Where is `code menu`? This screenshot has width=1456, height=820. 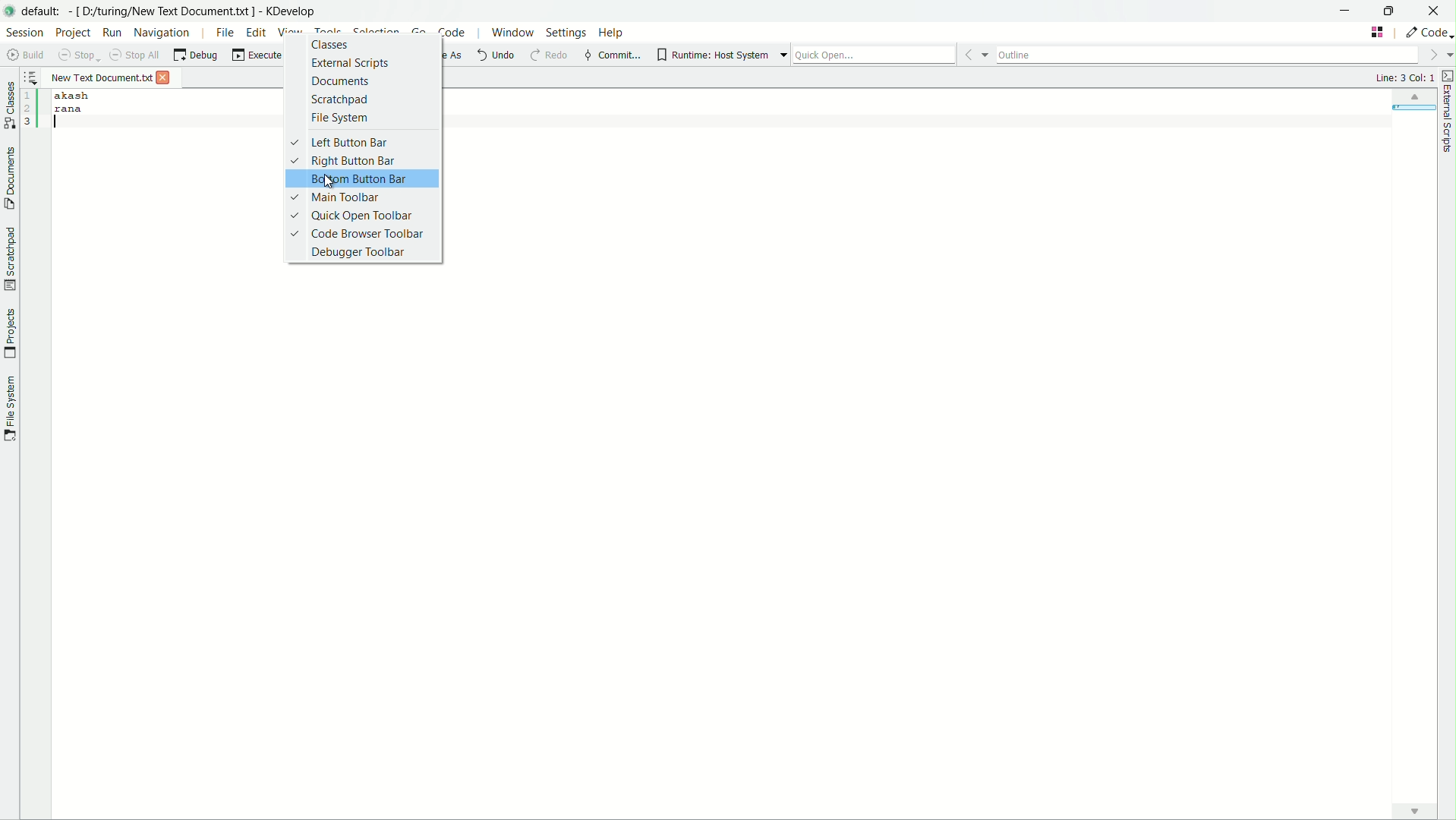 code menu is located at coordinates (452, 33).